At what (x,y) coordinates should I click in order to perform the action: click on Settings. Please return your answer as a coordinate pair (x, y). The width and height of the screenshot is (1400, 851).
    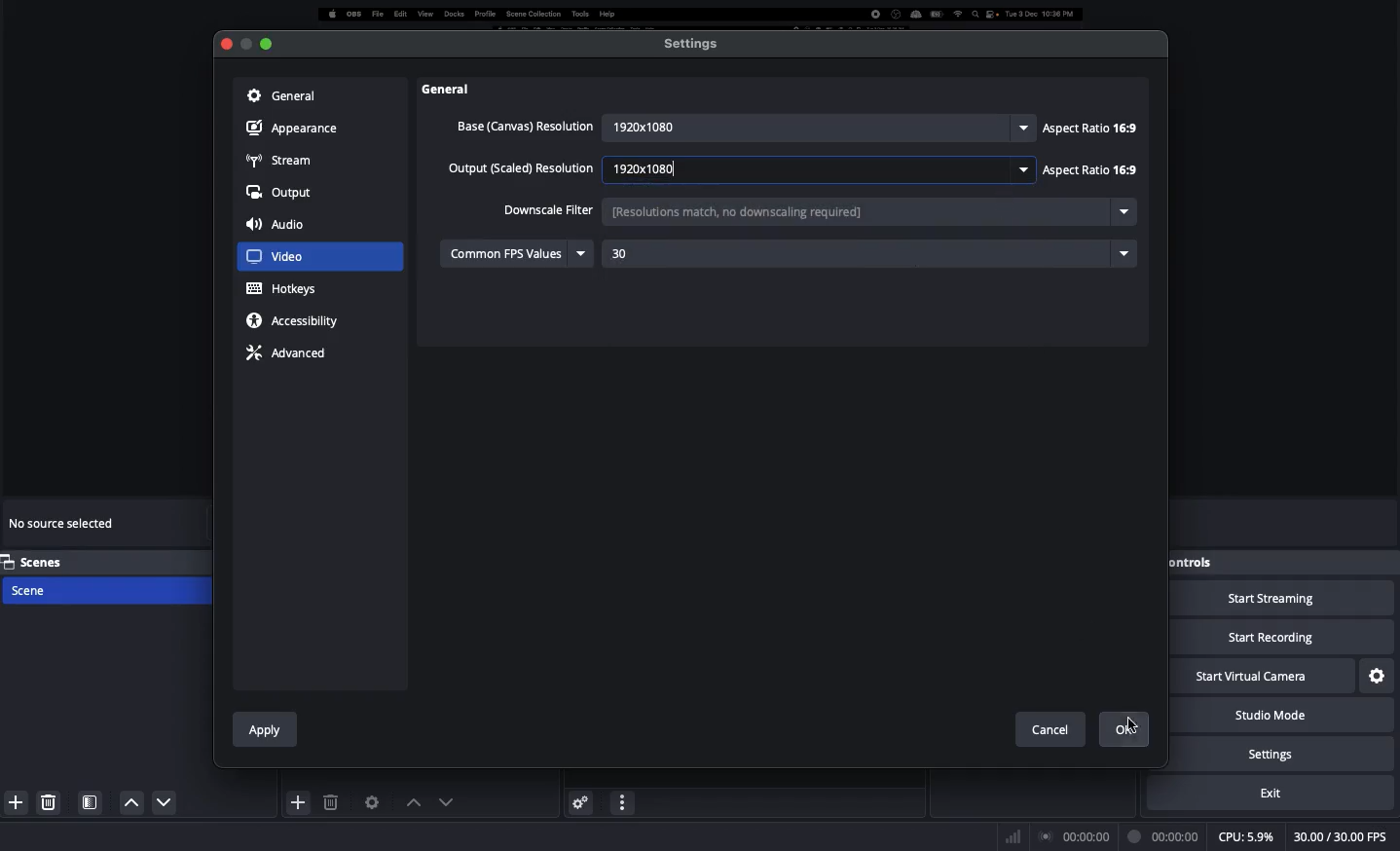
    Looking at the image, I should click on (1298, 754).